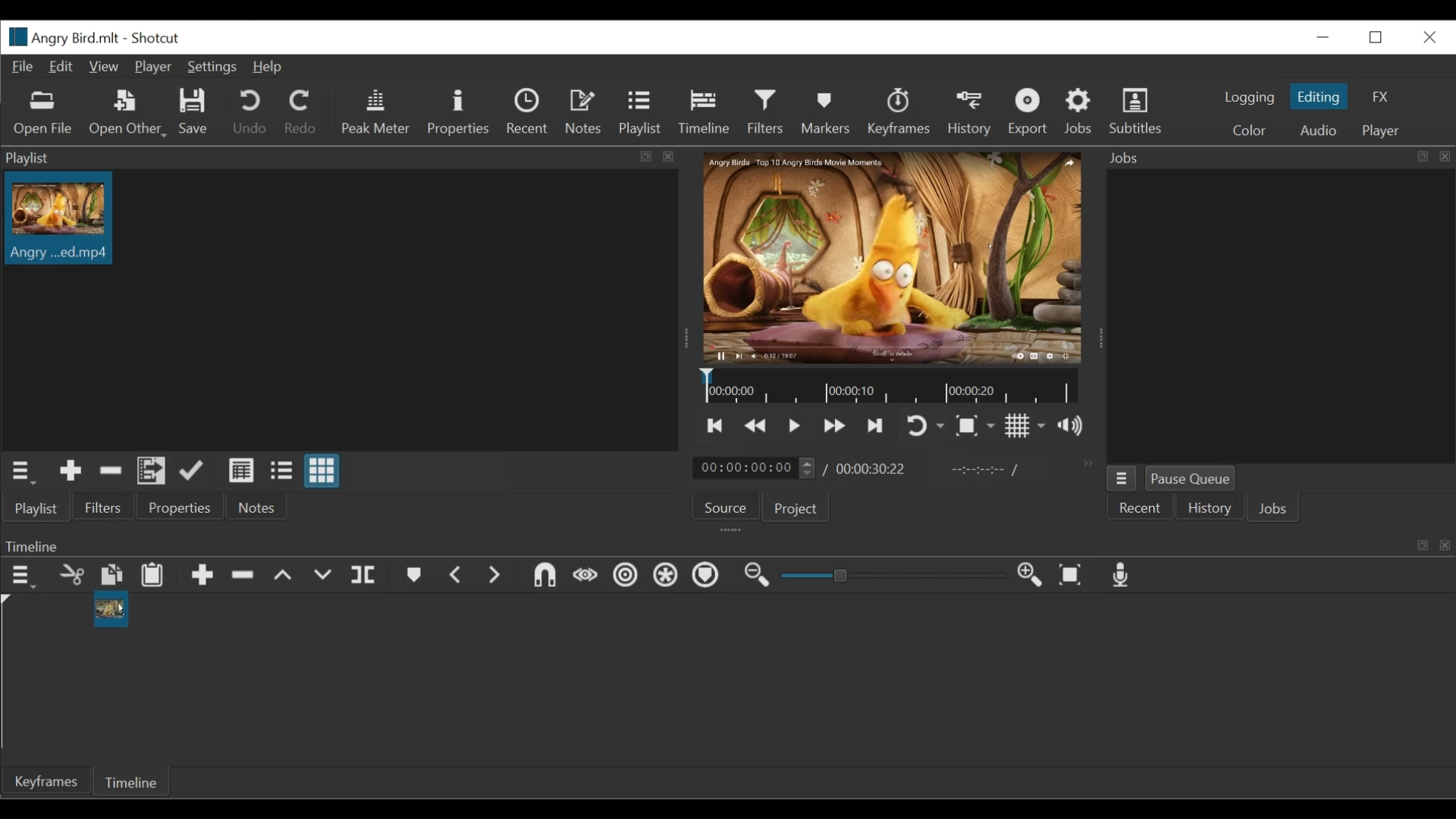 The image size is (1456, 819). I want to click on Keyframe, so click(45, 783).